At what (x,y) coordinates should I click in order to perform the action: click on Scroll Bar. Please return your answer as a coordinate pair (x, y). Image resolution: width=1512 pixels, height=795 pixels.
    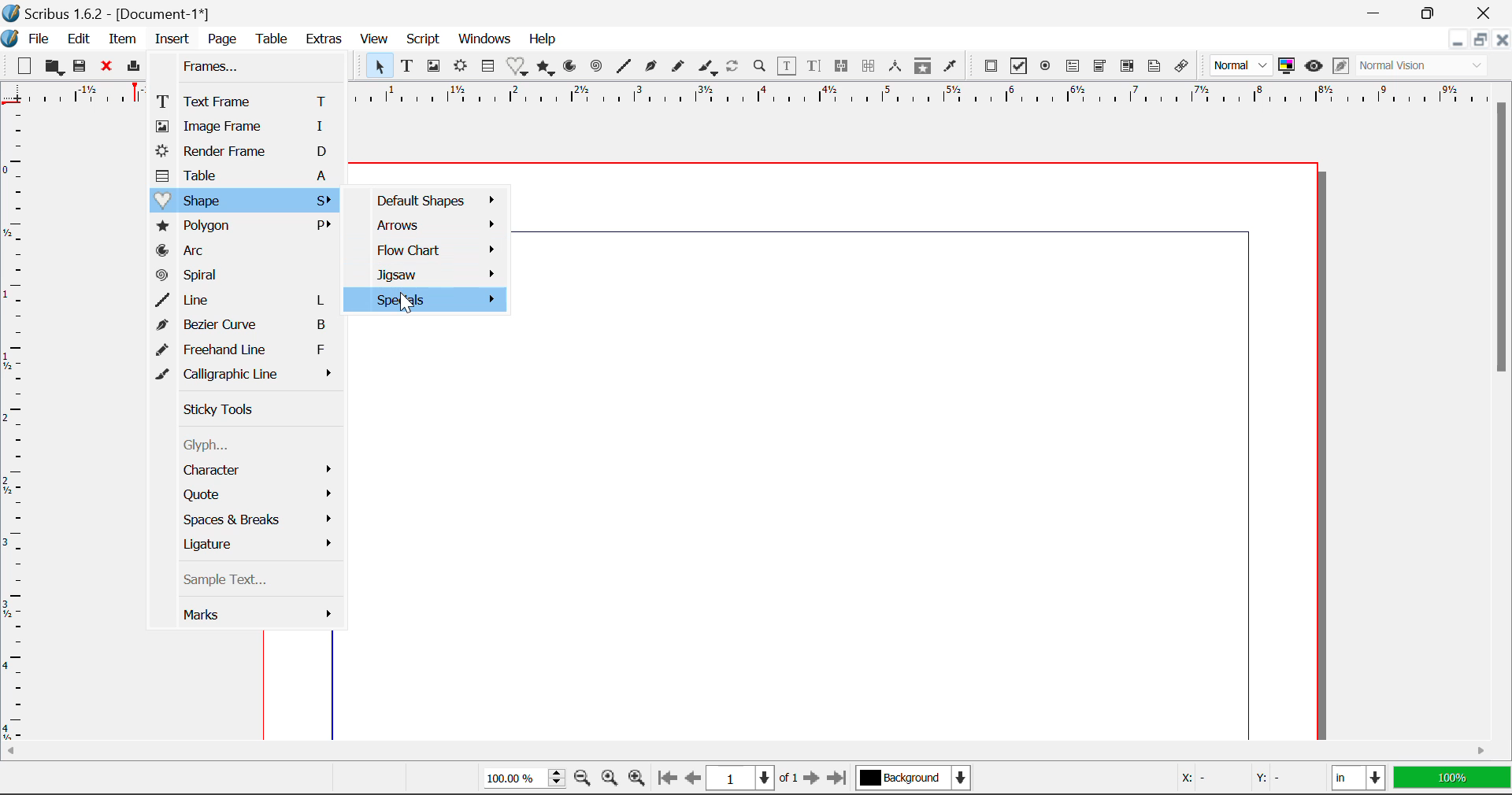
    Looking at the image, I should click on (1503, 407).